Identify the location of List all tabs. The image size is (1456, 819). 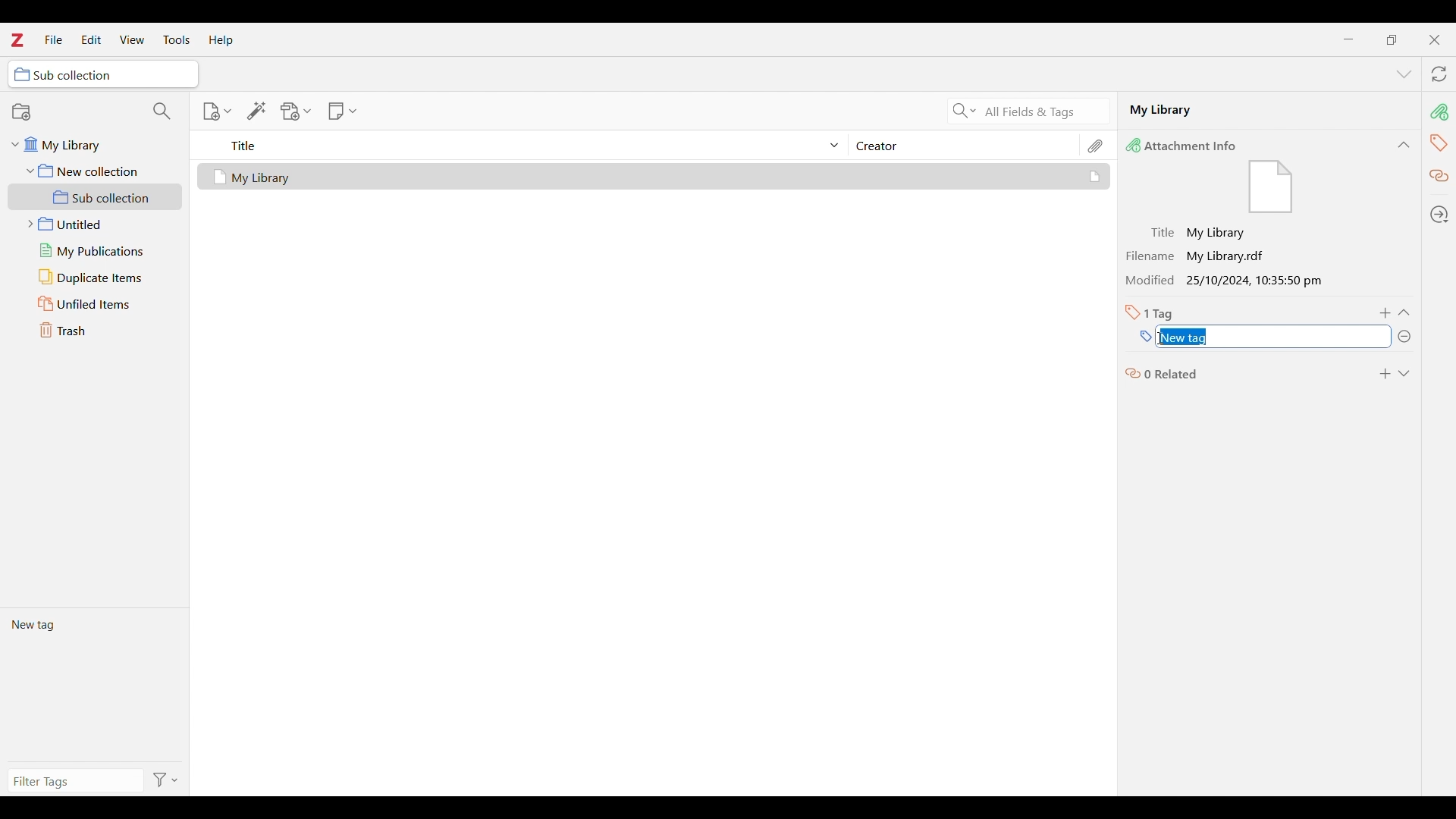
(1404, 75).